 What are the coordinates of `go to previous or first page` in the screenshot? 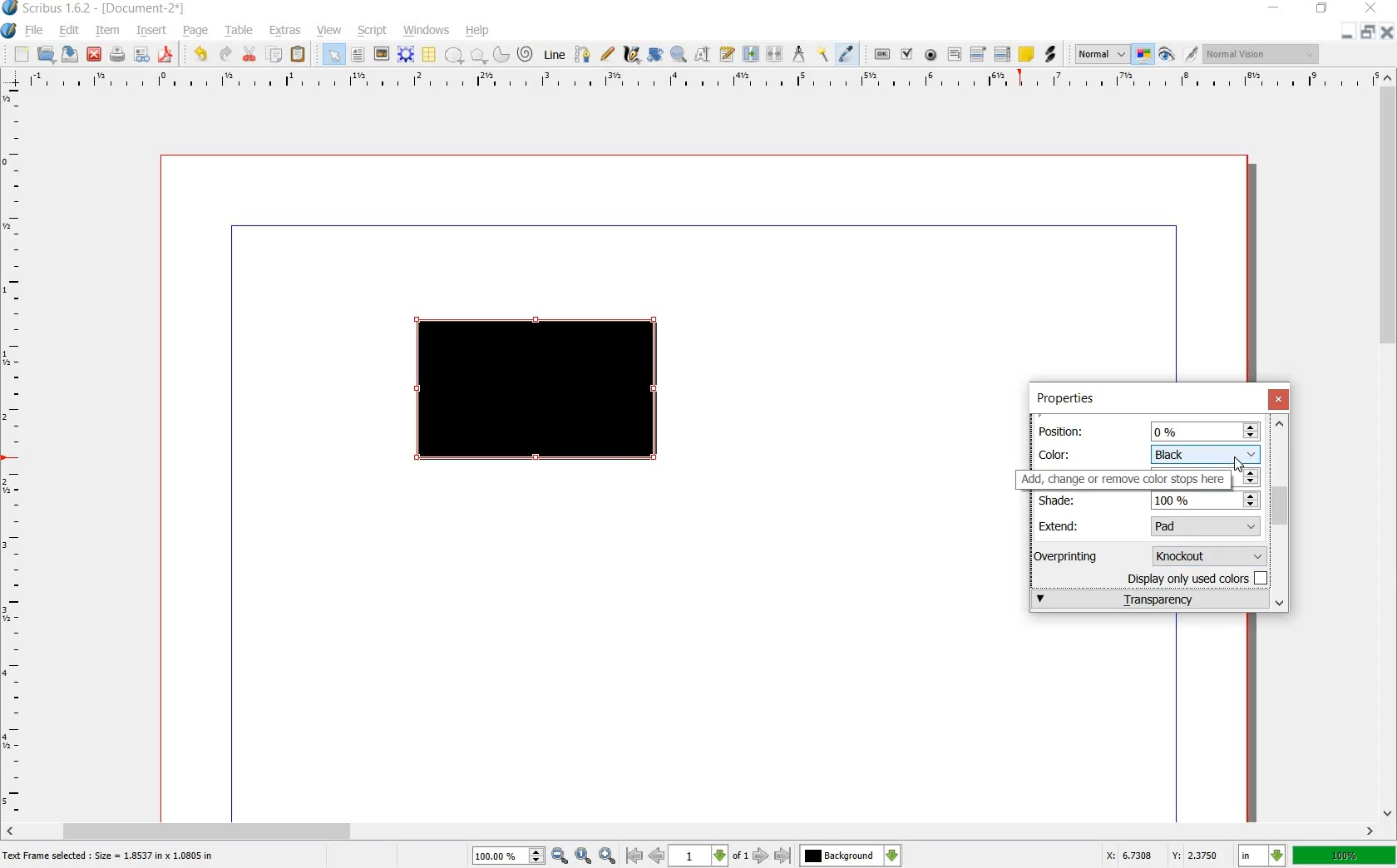 It's located at (644, 856).